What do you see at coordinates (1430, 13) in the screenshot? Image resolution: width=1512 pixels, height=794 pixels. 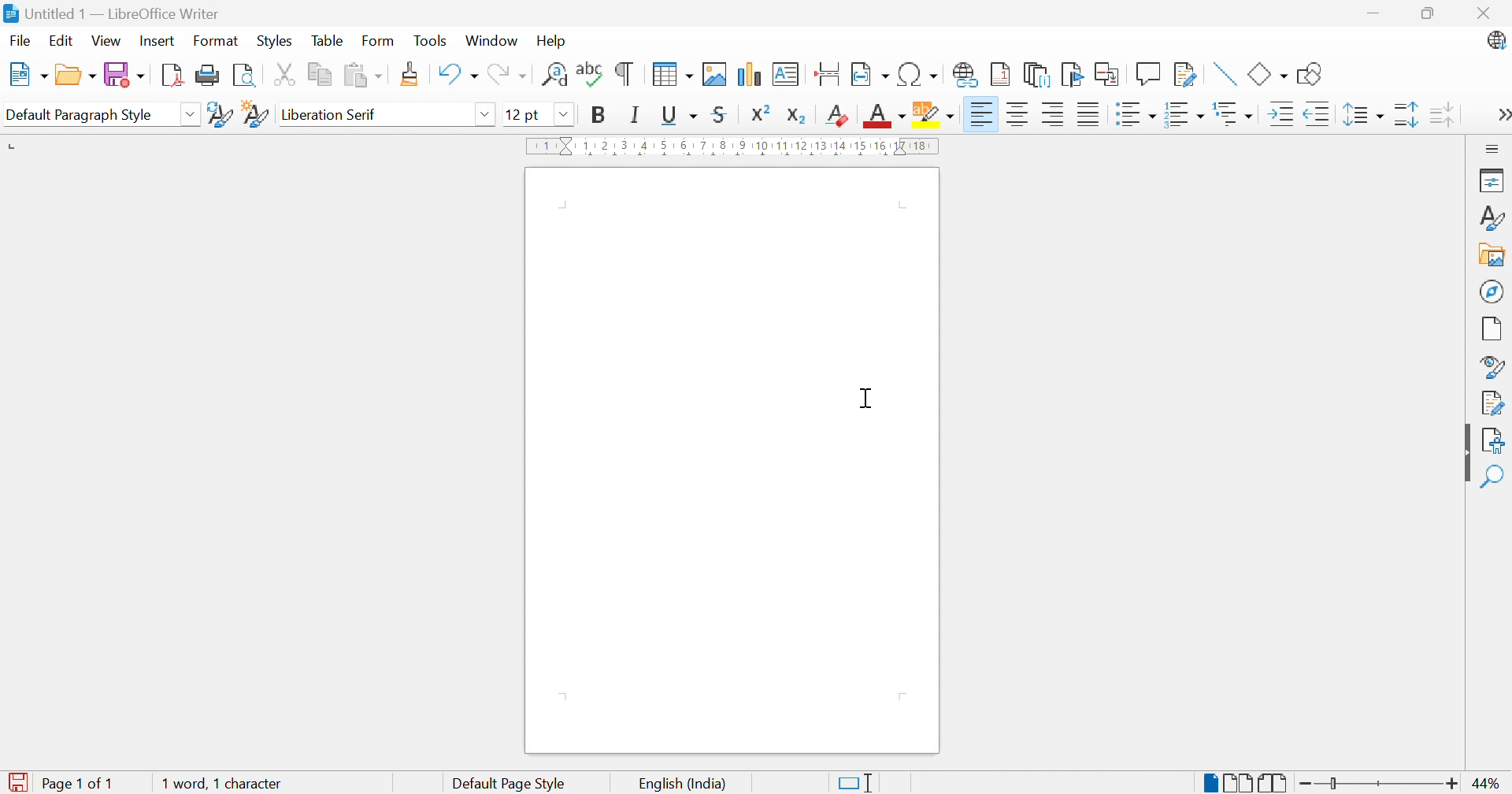 I see `Restore down` at bounding box center [1430, 13].